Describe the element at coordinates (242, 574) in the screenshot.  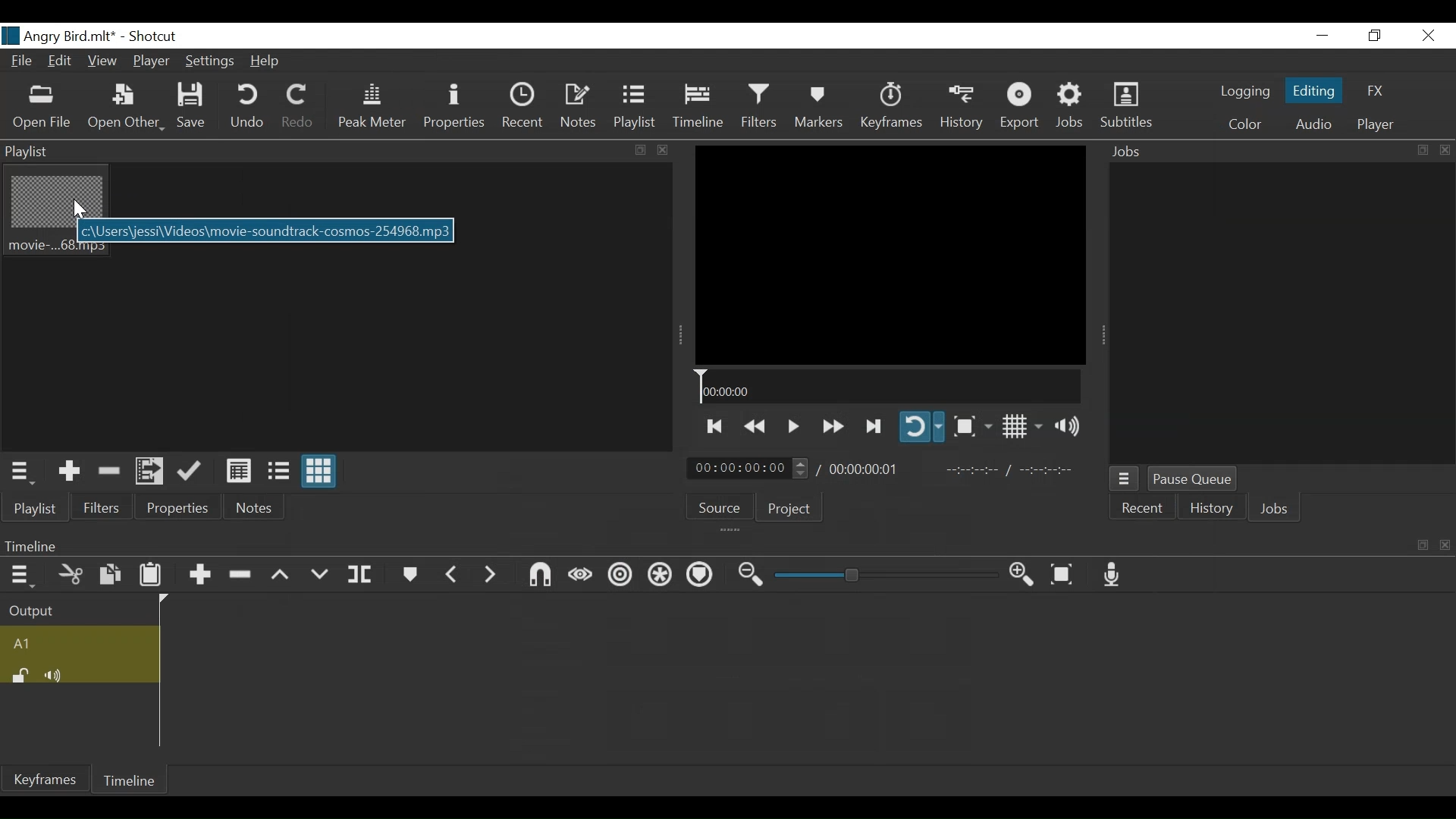
I see `Ripple Delete` at that location.